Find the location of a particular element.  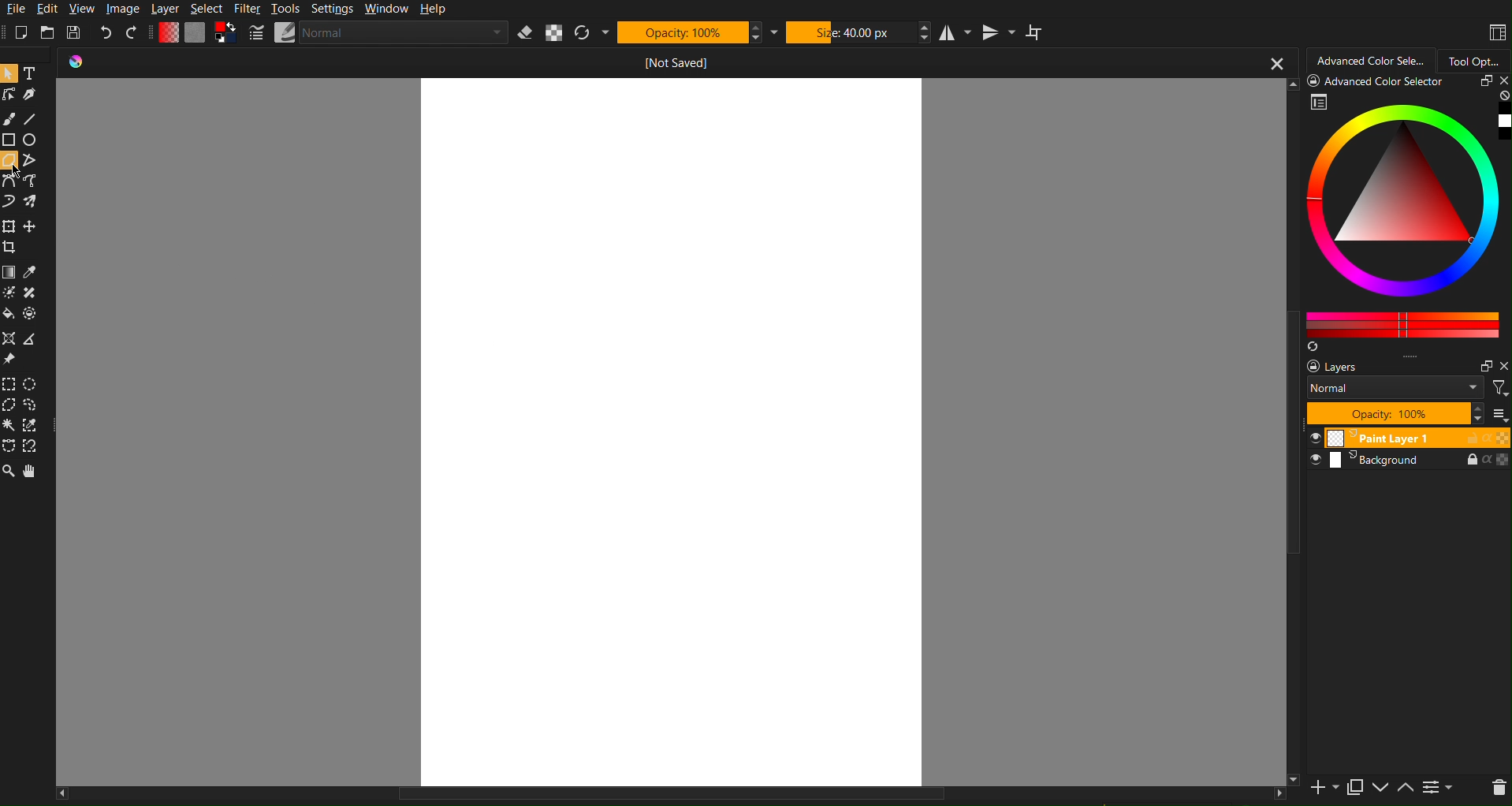

Pointer is located at coordinates (9, 74).